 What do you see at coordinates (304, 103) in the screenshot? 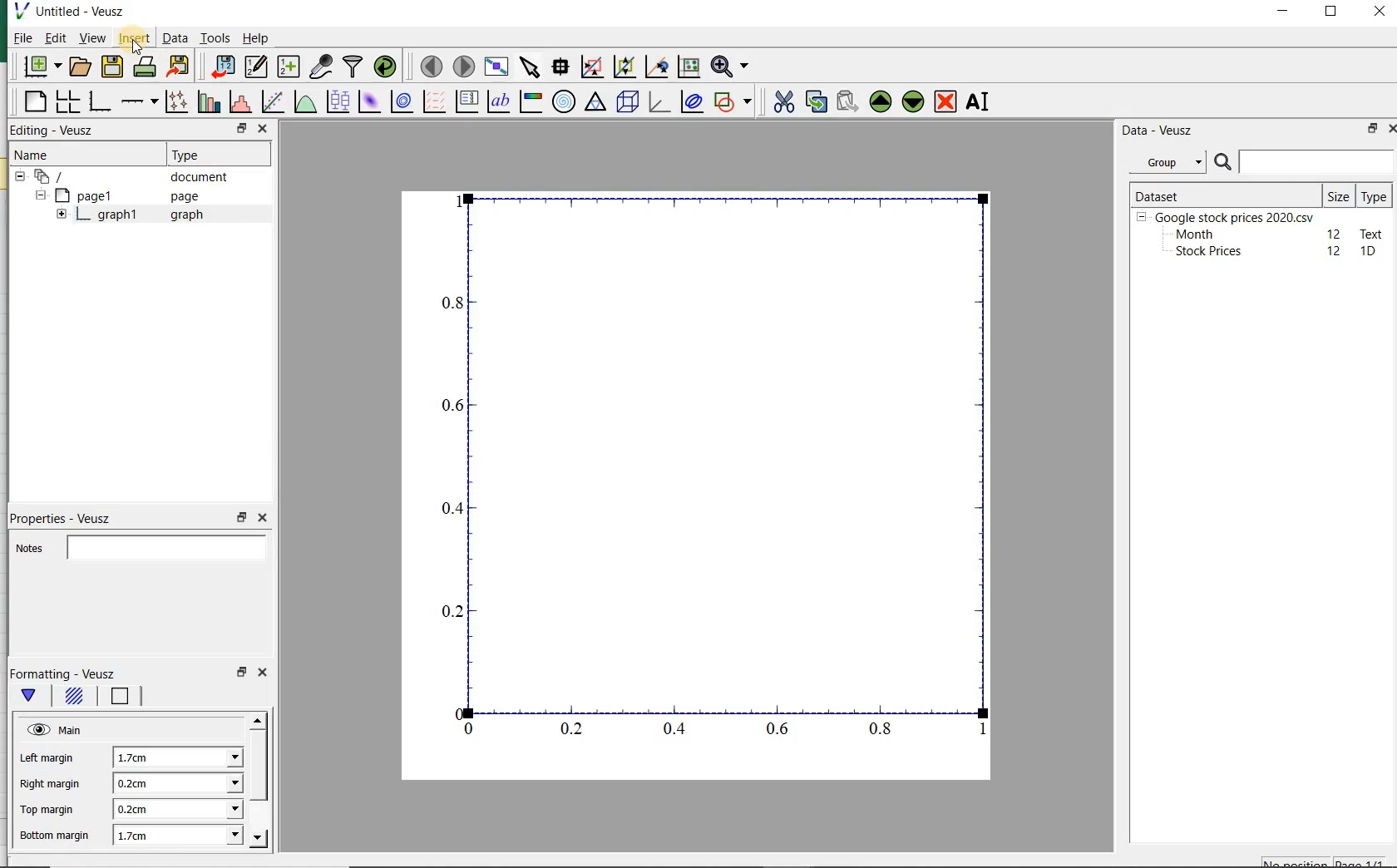
I see `plot a function` at bounding box center [304, 103].